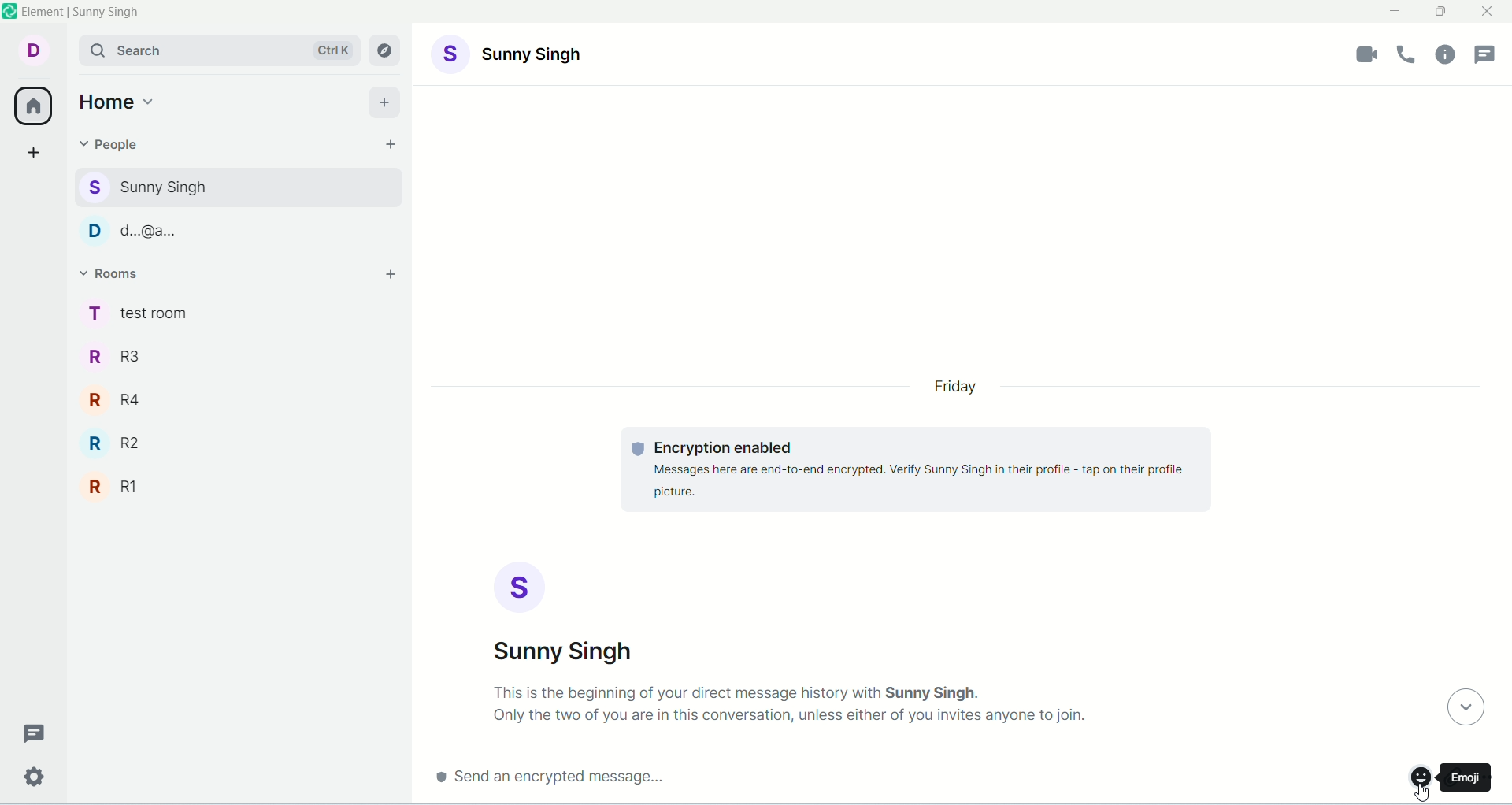  What do you see at coordinates (1463, 707) in the screenshot?
I see `dropdown` at bounding box center [1463, 707].